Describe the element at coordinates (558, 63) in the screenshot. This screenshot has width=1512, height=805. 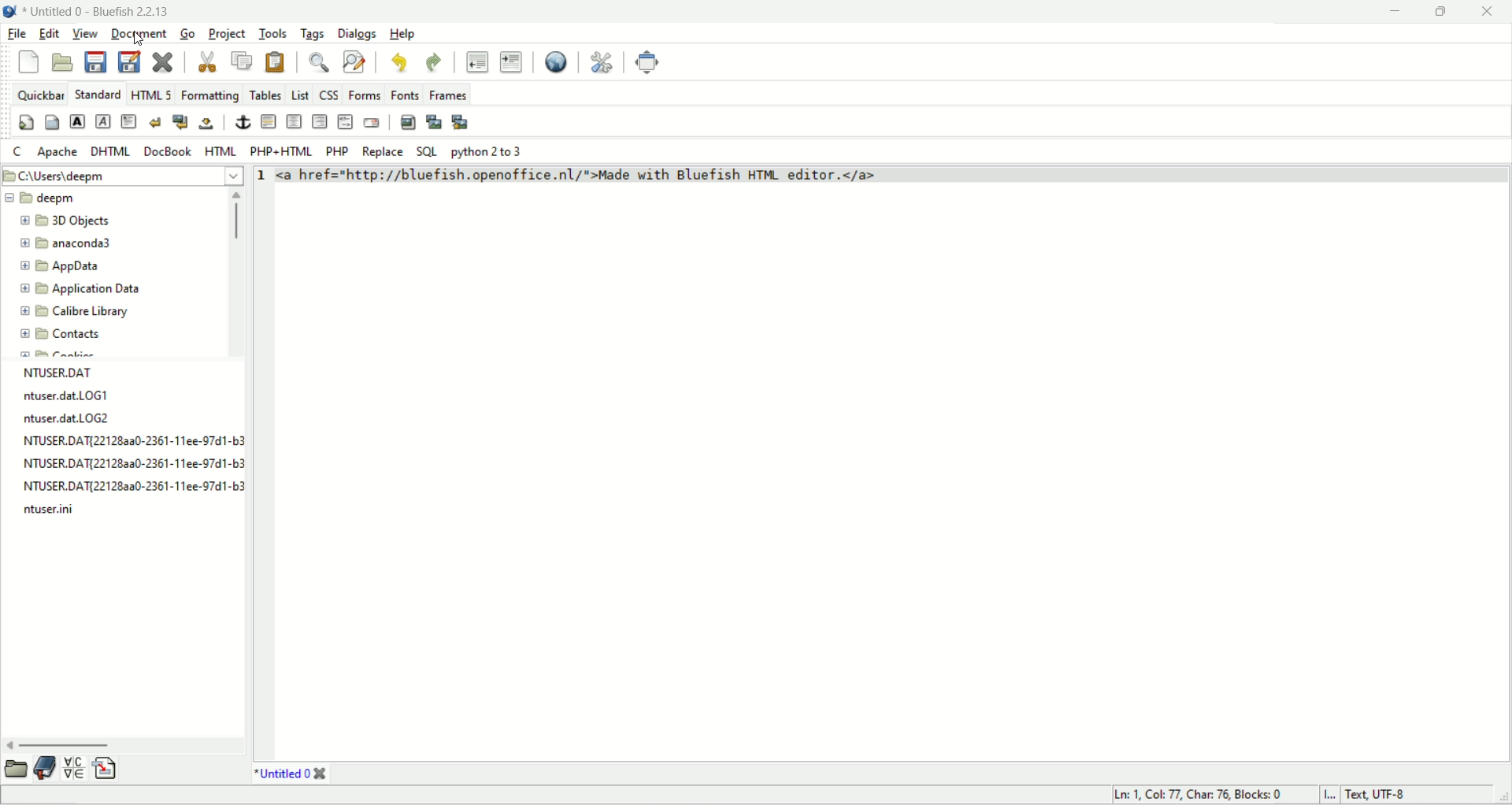
I see `preview in browser` at that location.